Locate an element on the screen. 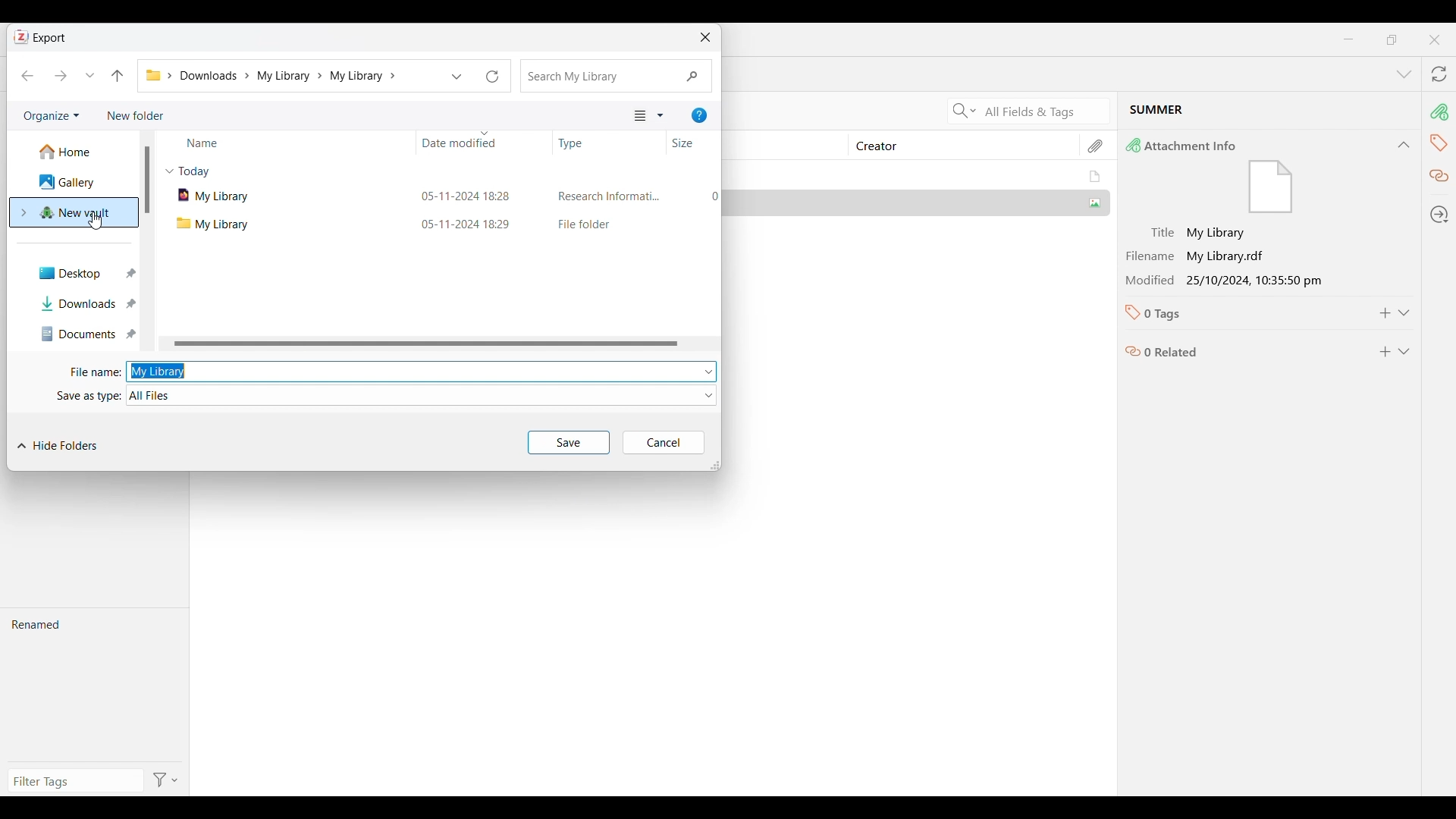  Close  is located at coordinates (1435, 40).